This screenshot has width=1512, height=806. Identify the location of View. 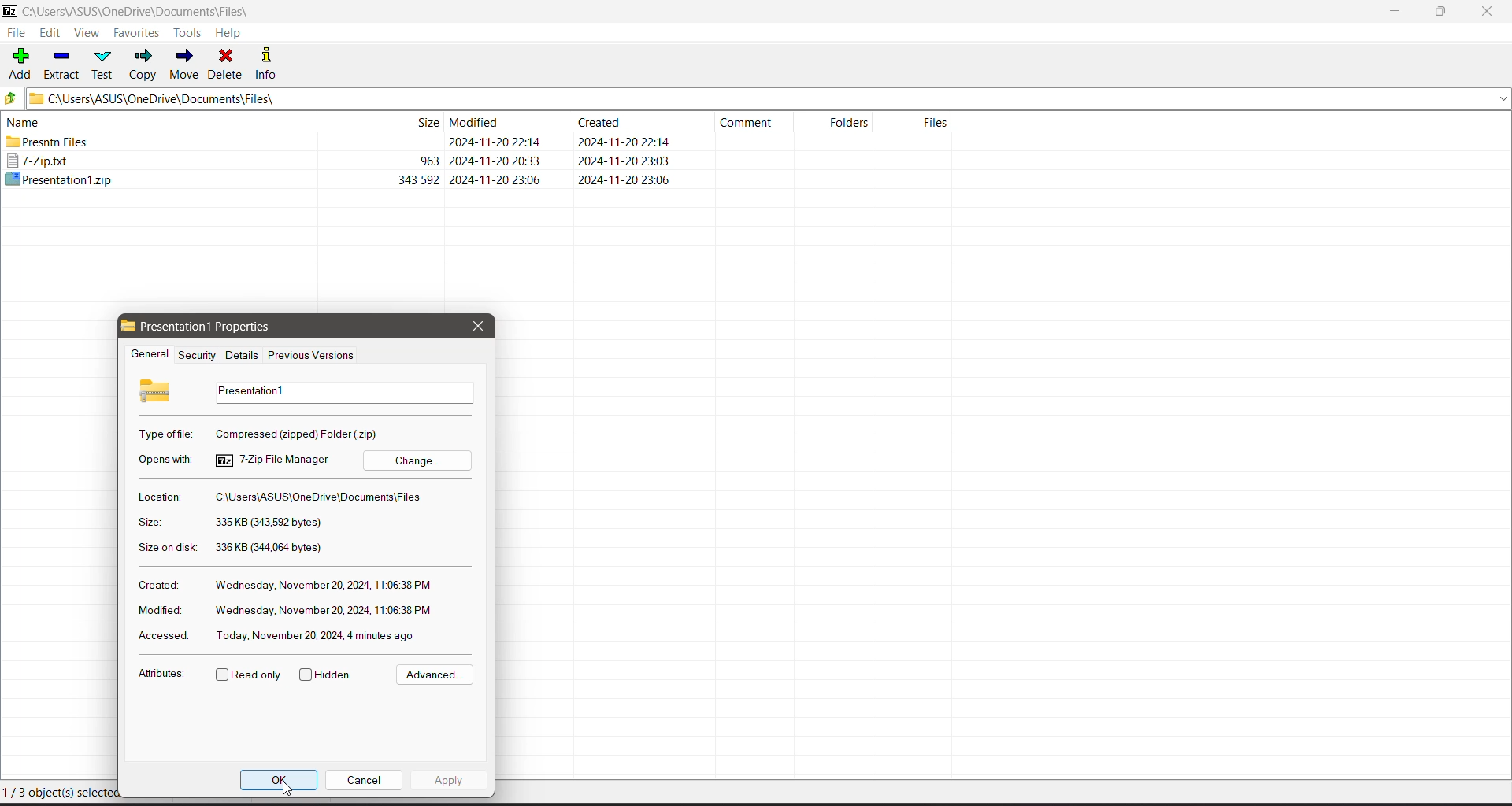
(87, 34).